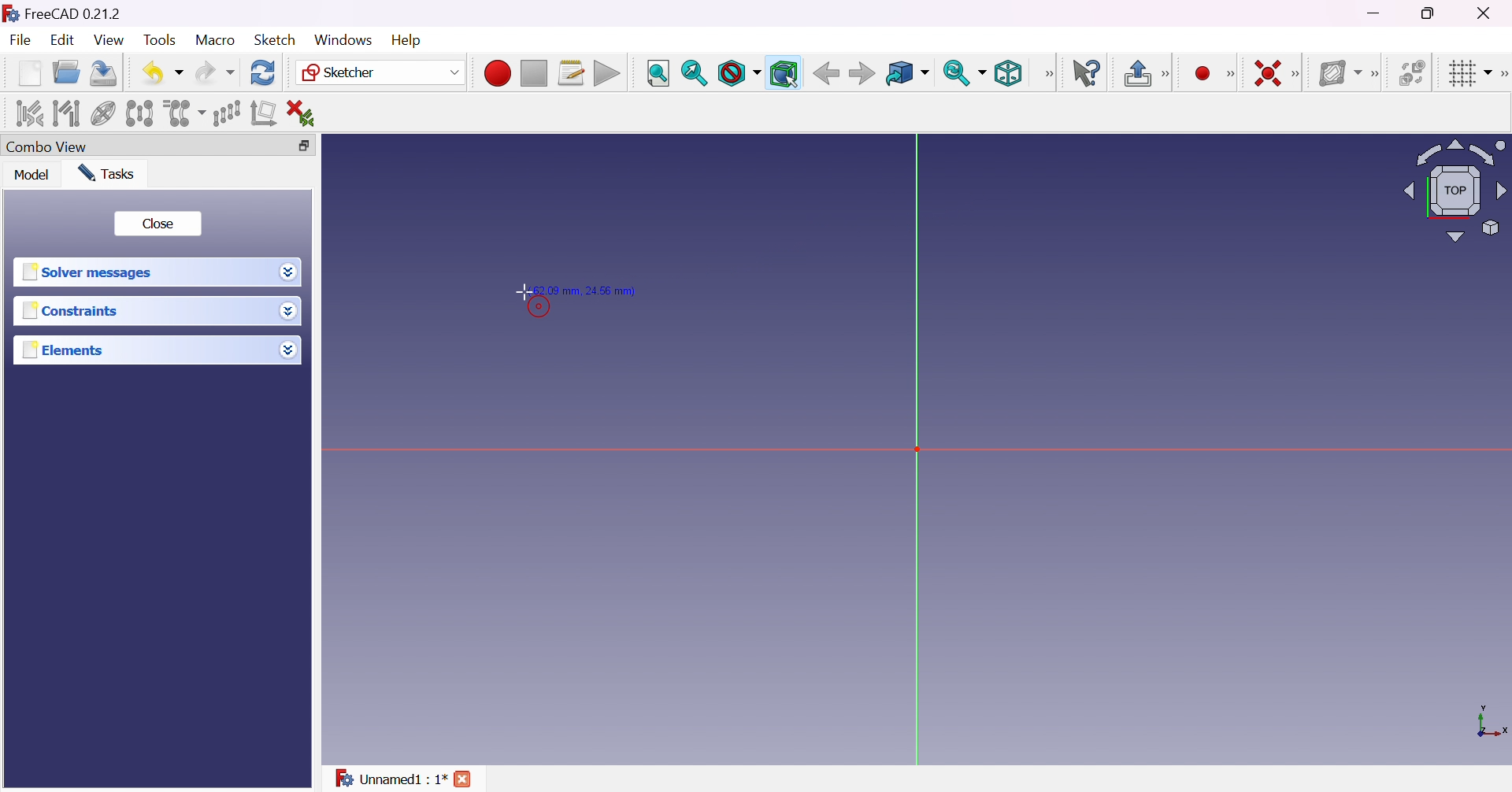  What do you see at coordinates (64, 42) in the screenshot?
I see `Edit` at bounding box center [64, 42].